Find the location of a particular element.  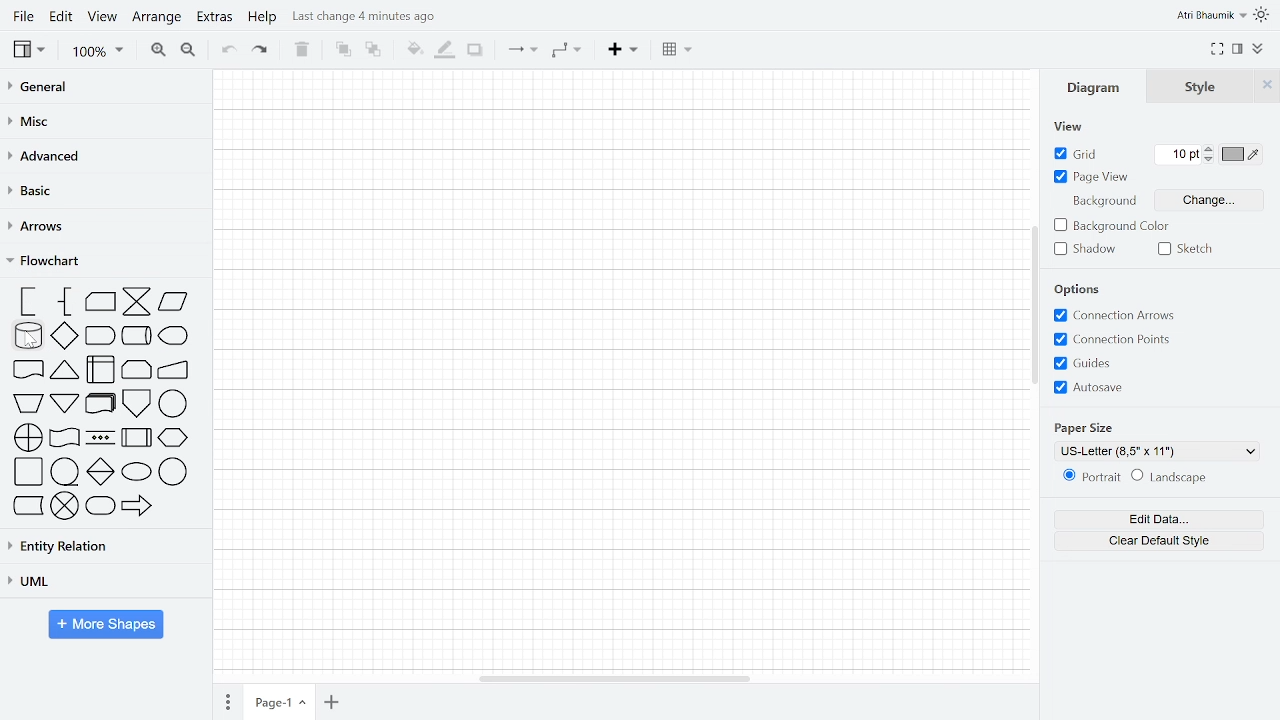

database is located at coordinates (27, 336).